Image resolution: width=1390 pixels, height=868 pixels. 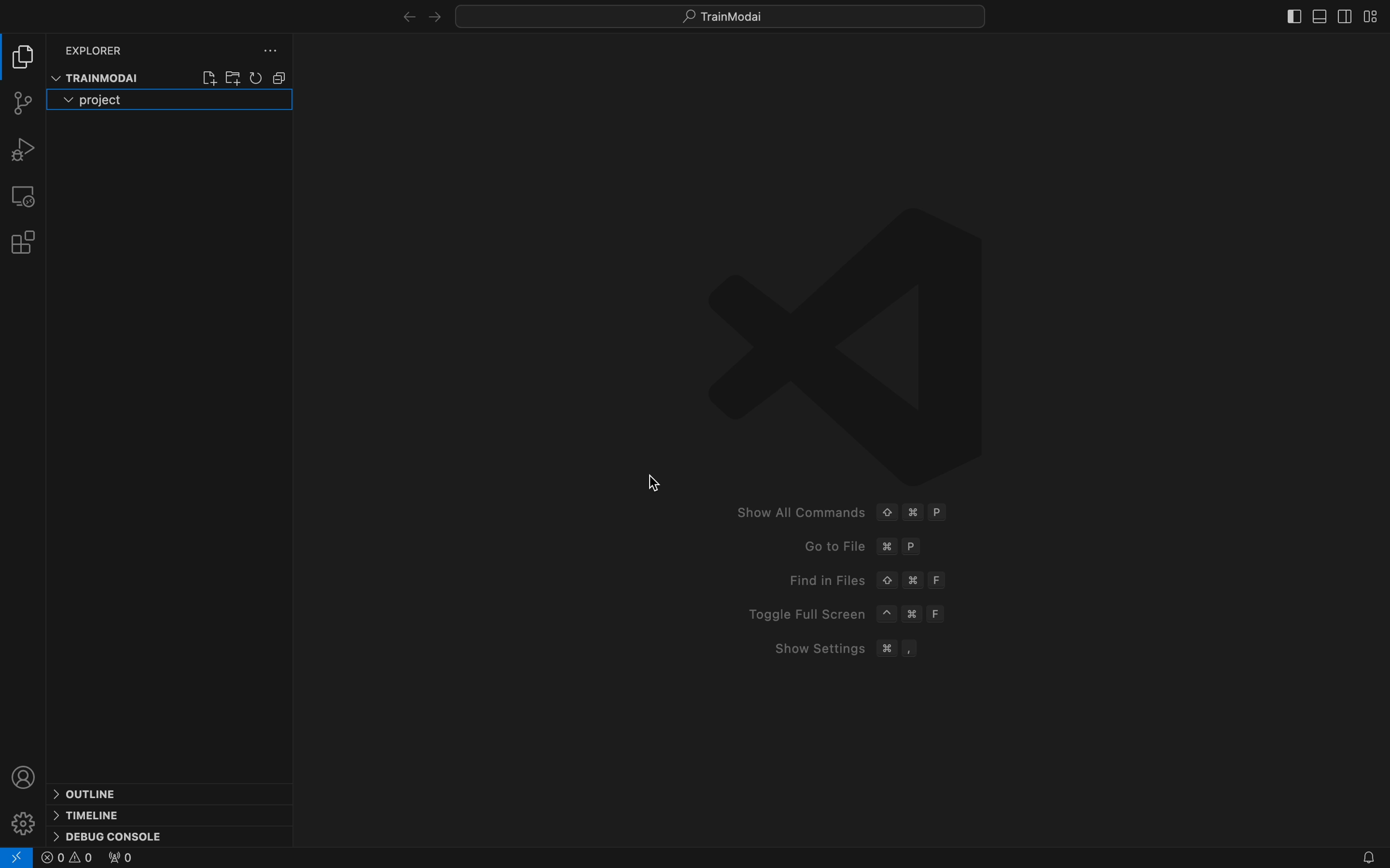 I want to click on Find, so click(x=870, y=580).